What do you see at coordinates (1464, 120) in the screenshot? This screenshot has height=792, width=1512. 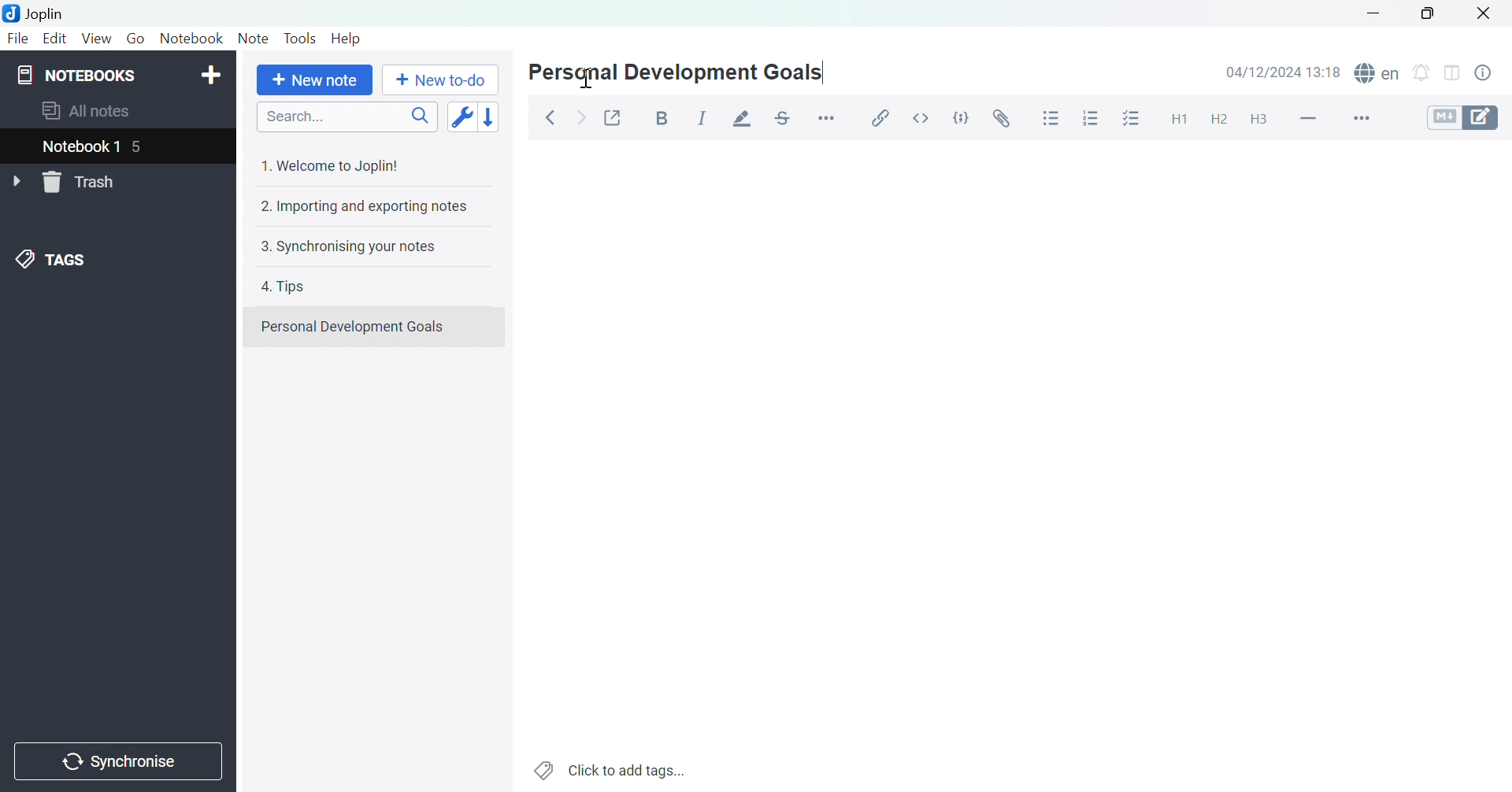 I see `Toggle editors` at bounding box center [1464, 120].